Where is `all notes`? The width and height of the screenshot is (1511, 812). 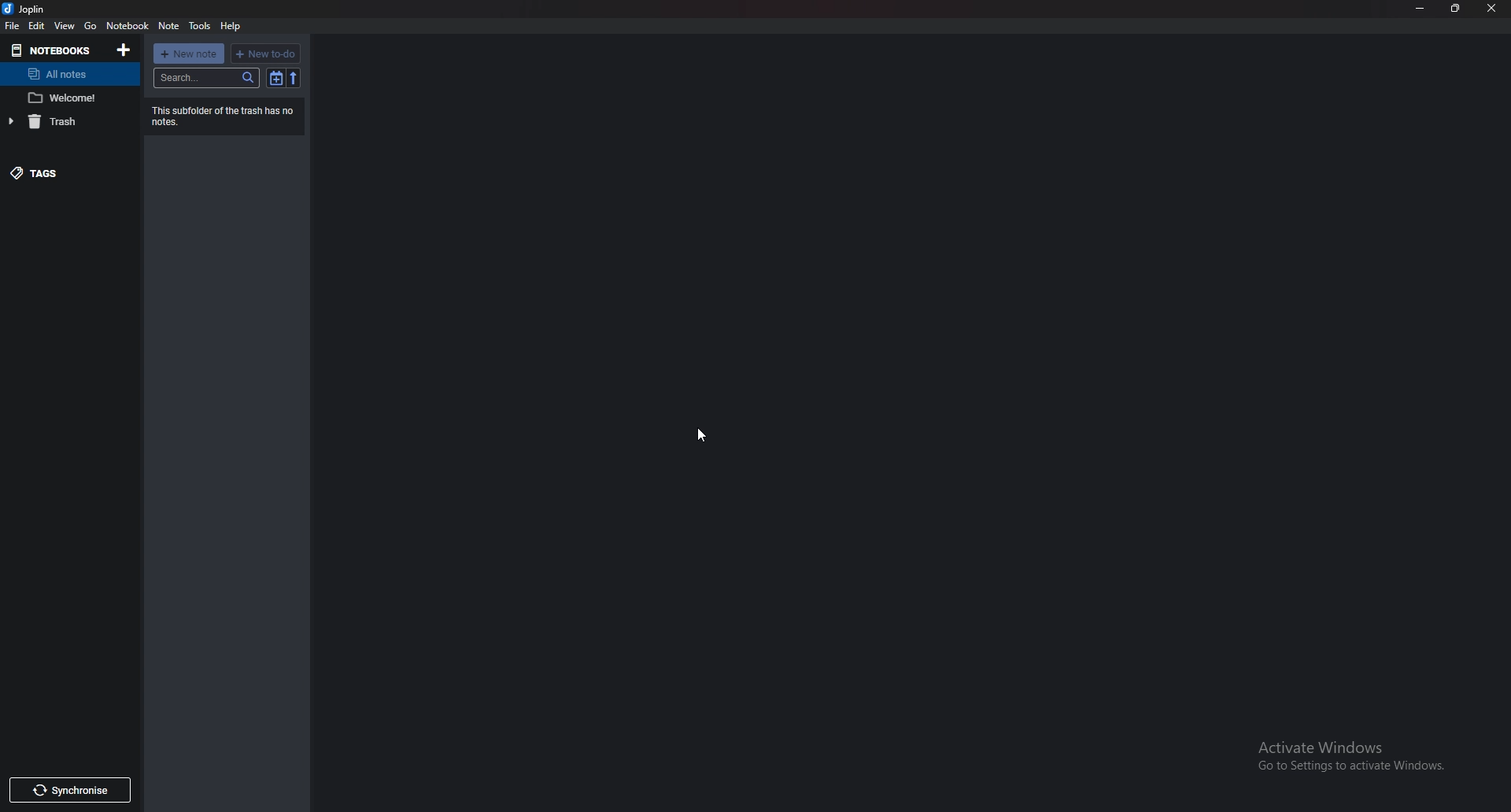 all notes is located at coordinates (66, 74).